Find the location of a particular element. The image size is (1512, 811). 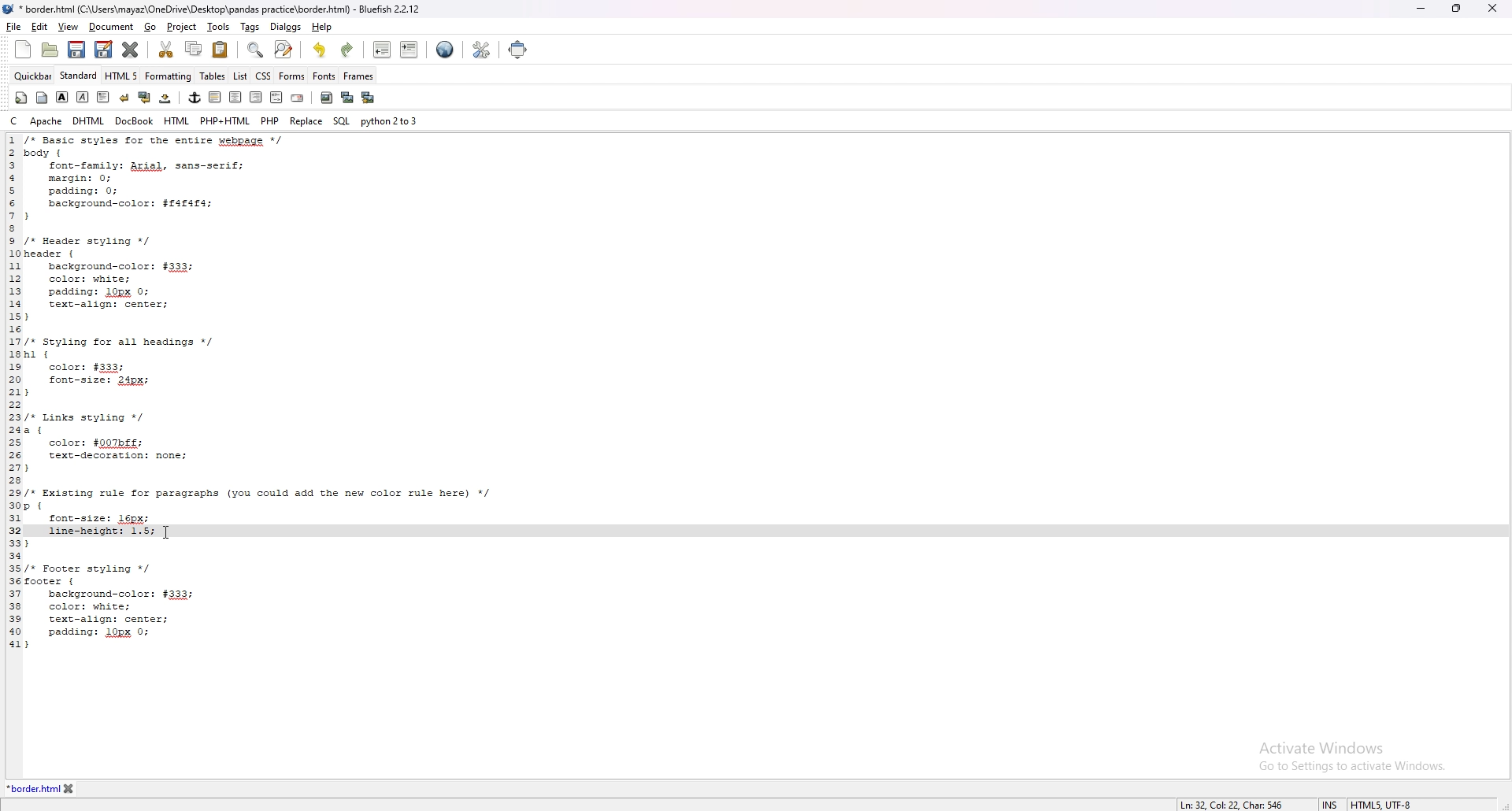

php is located at coordinates (270, 120).